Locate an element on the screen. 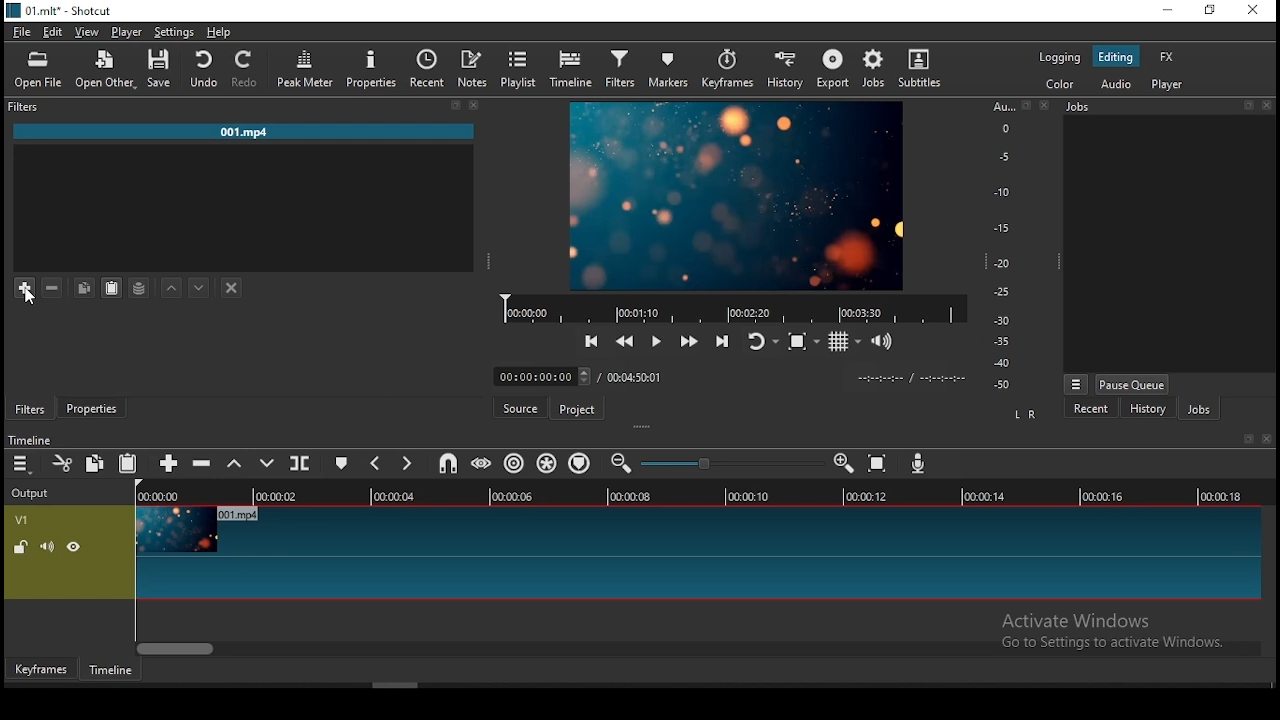 This screenshot has width=1280, height=720. play quickly forwards is located at coordinates (683, 340).